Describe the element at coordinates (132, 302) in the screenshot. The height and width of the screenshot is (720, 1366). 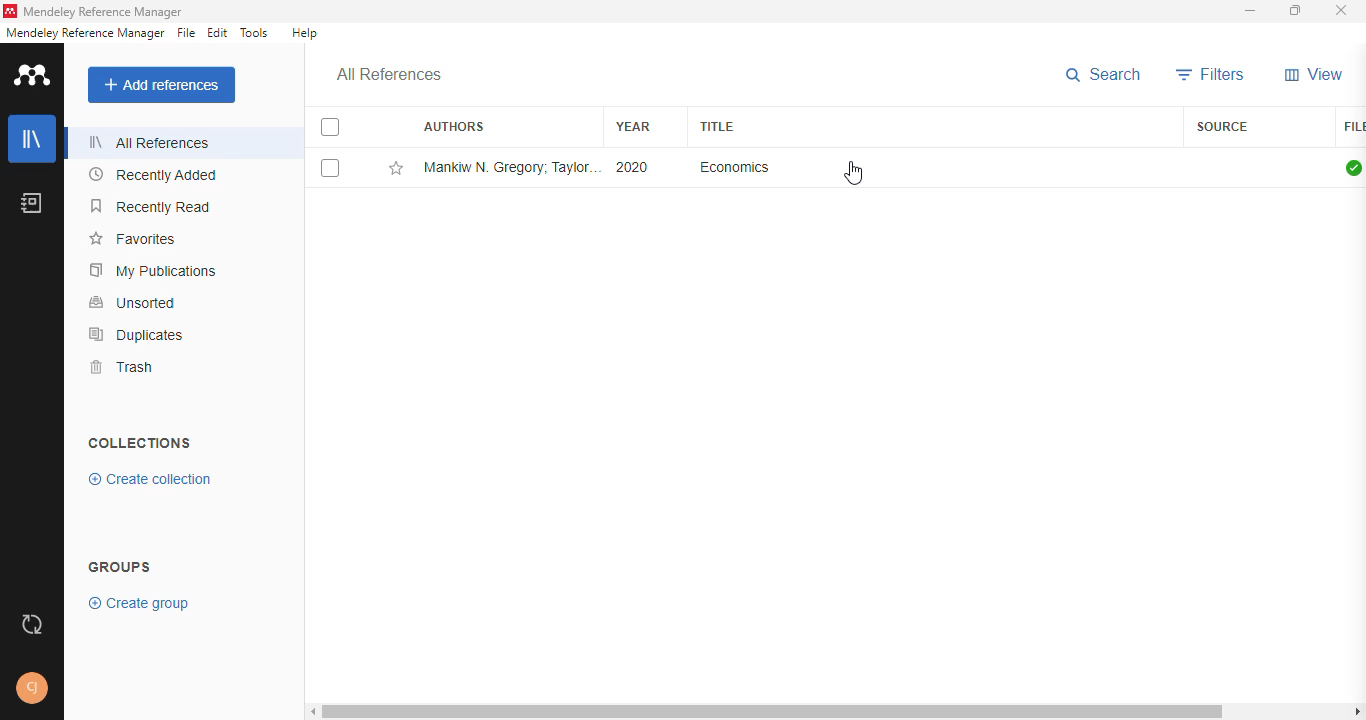
I see `unsorted` at that location.